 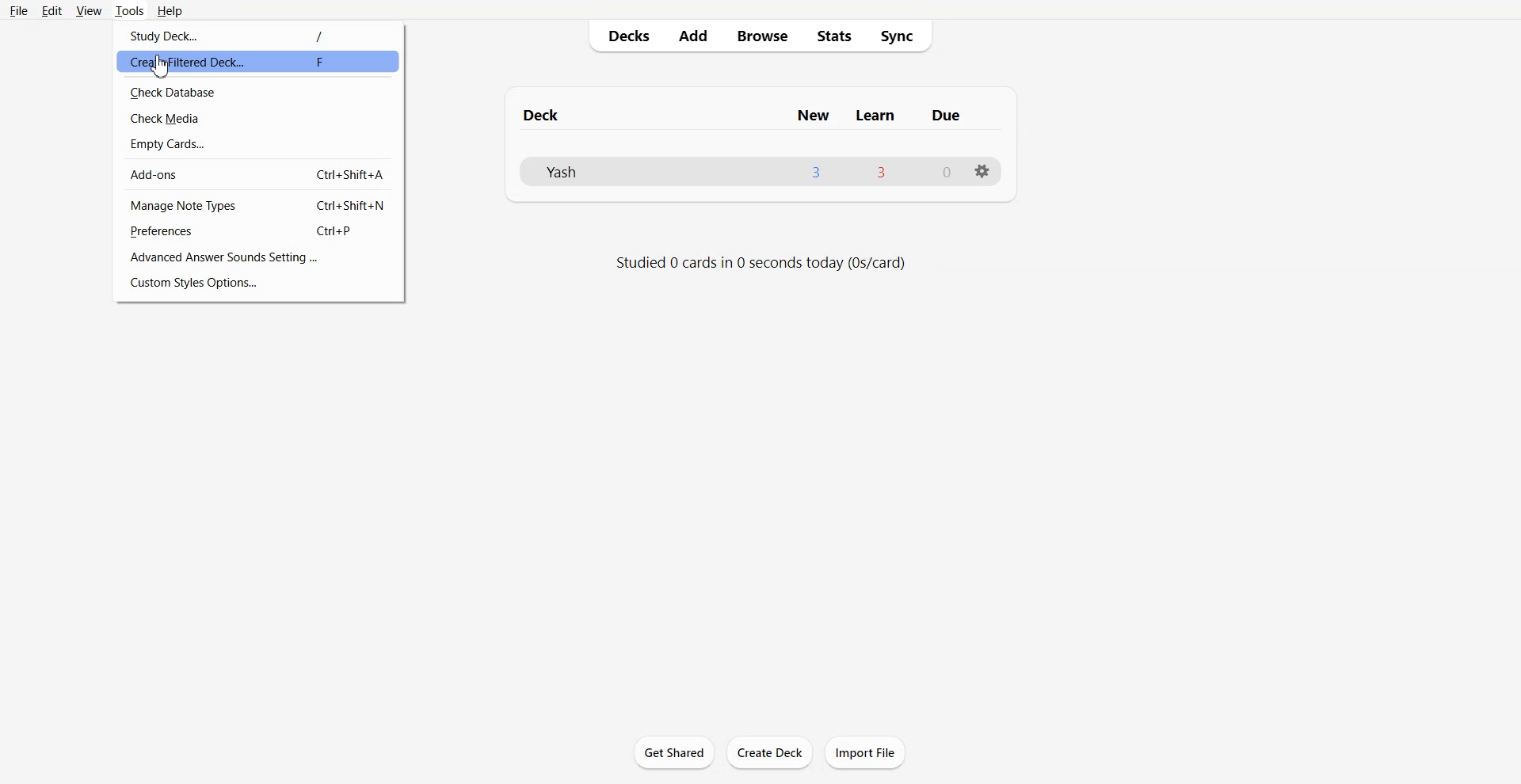 I want to click on Empty Cards, so click(x=257, y=144).